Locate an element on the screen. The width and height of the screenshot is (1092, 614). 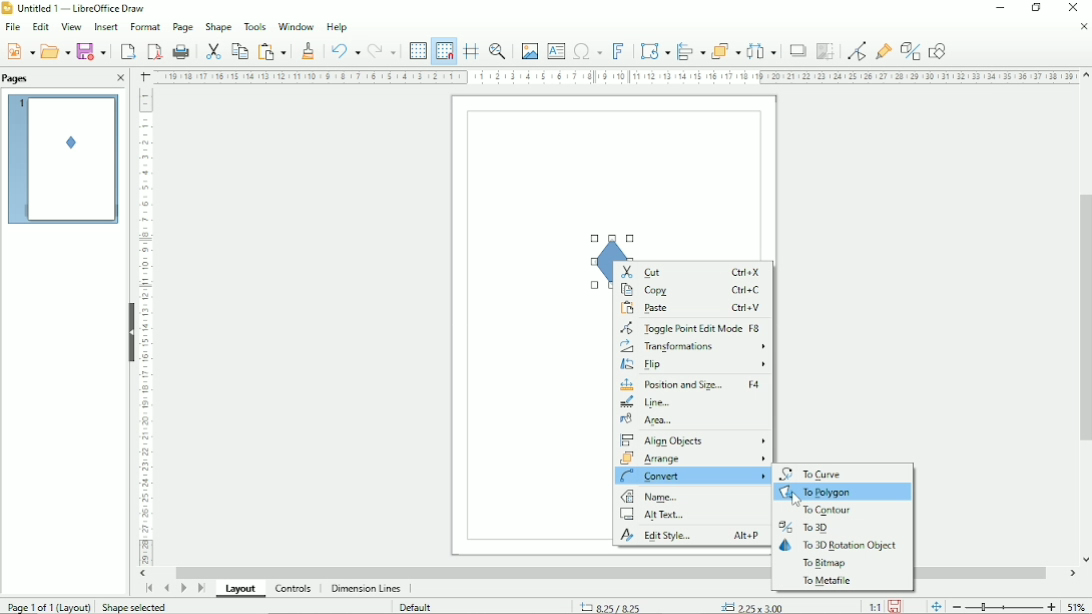
Display grid is located at coordinates (417, 49).